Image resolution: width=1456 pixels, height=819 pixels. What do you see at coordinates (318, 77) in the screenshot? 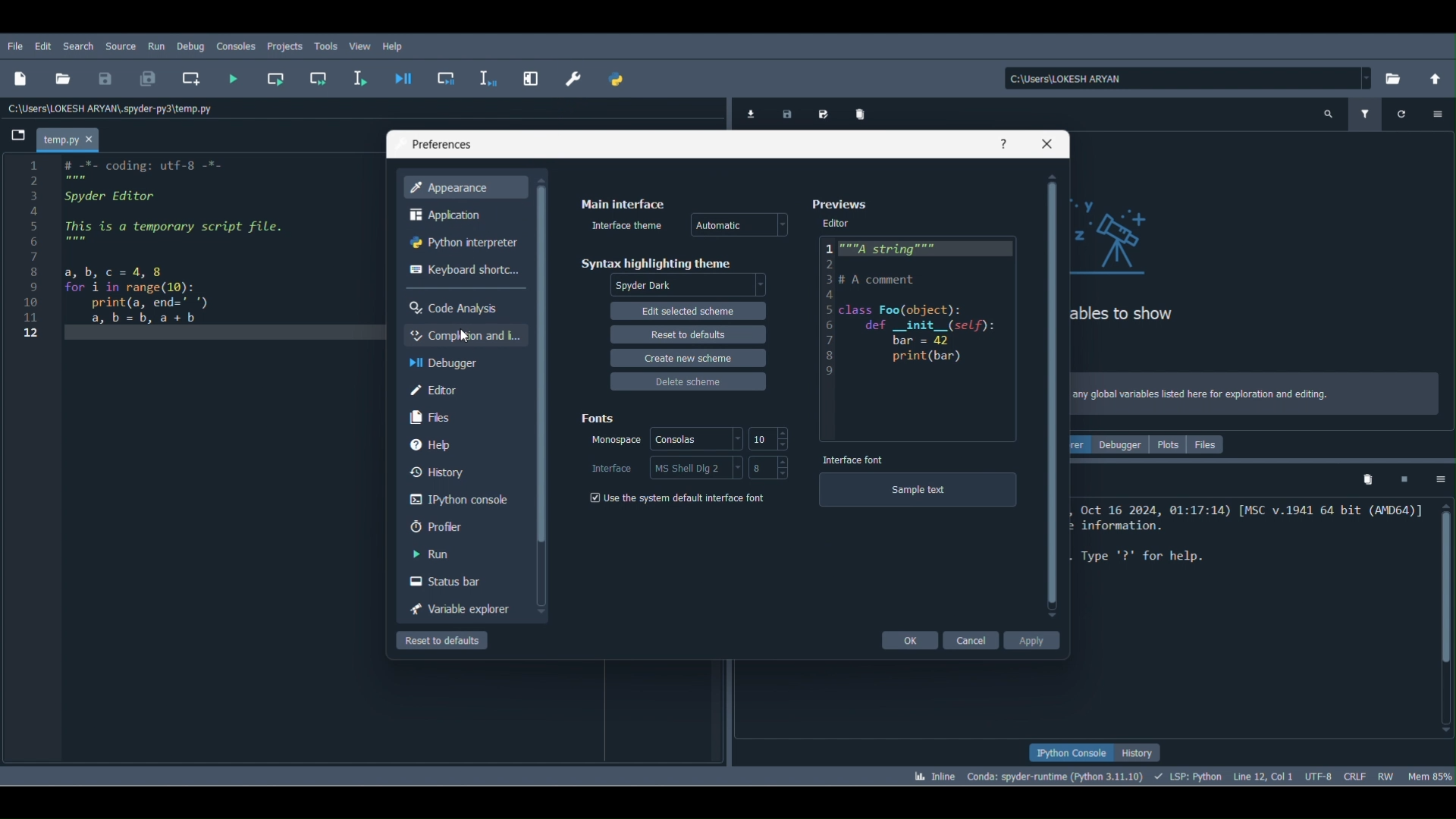
I see `Run current cell and go to the next one (Shift + Return)` at bounding box center [318, 77].